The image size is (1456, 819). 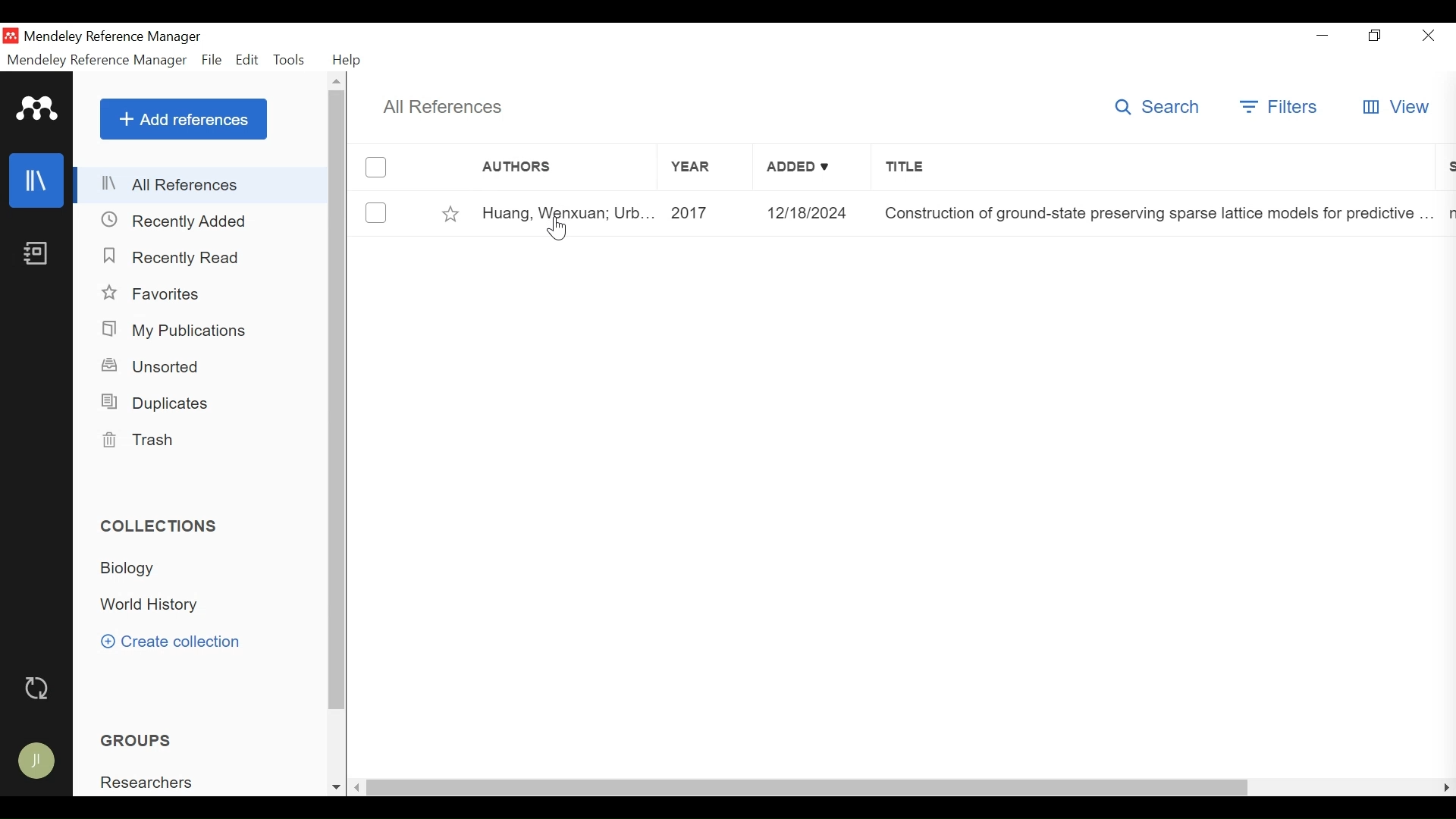 I want to click on minimize, so click(x=1323, y=36).